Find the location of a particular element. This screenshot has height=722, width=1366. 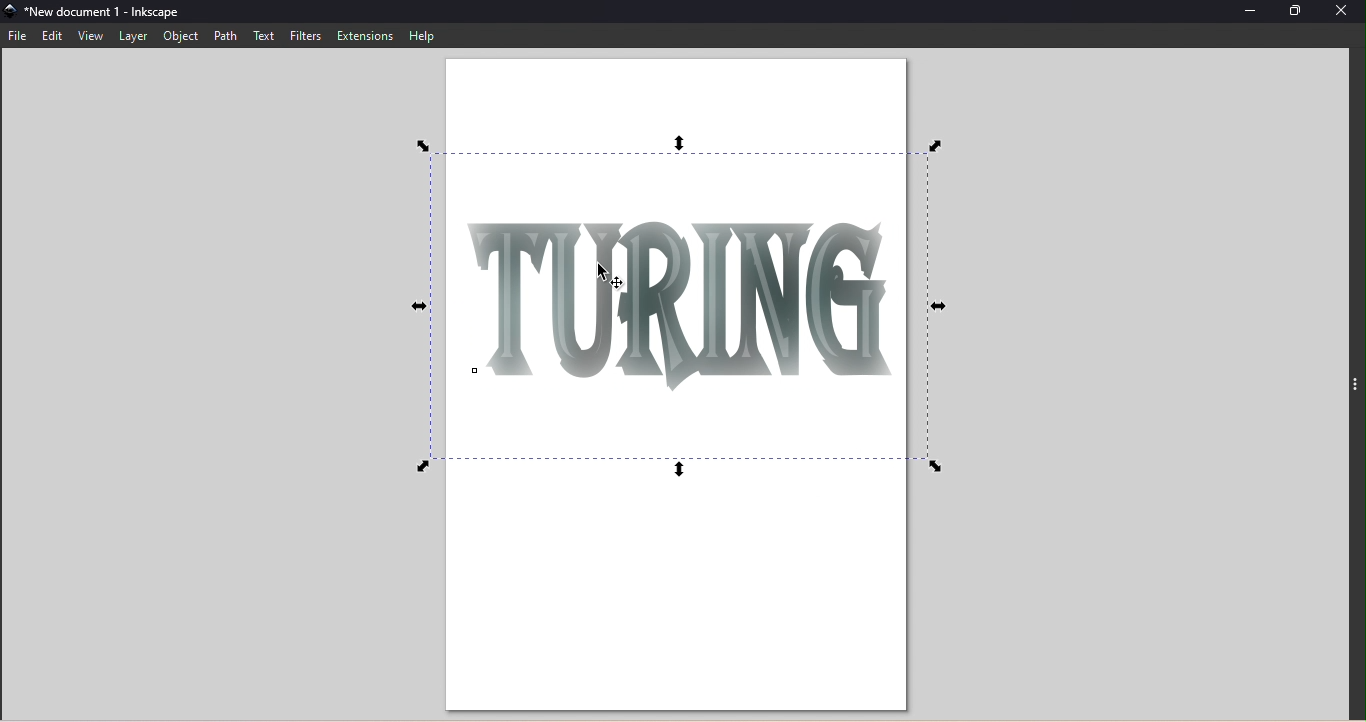

Path is located at coordinates (228, 36).